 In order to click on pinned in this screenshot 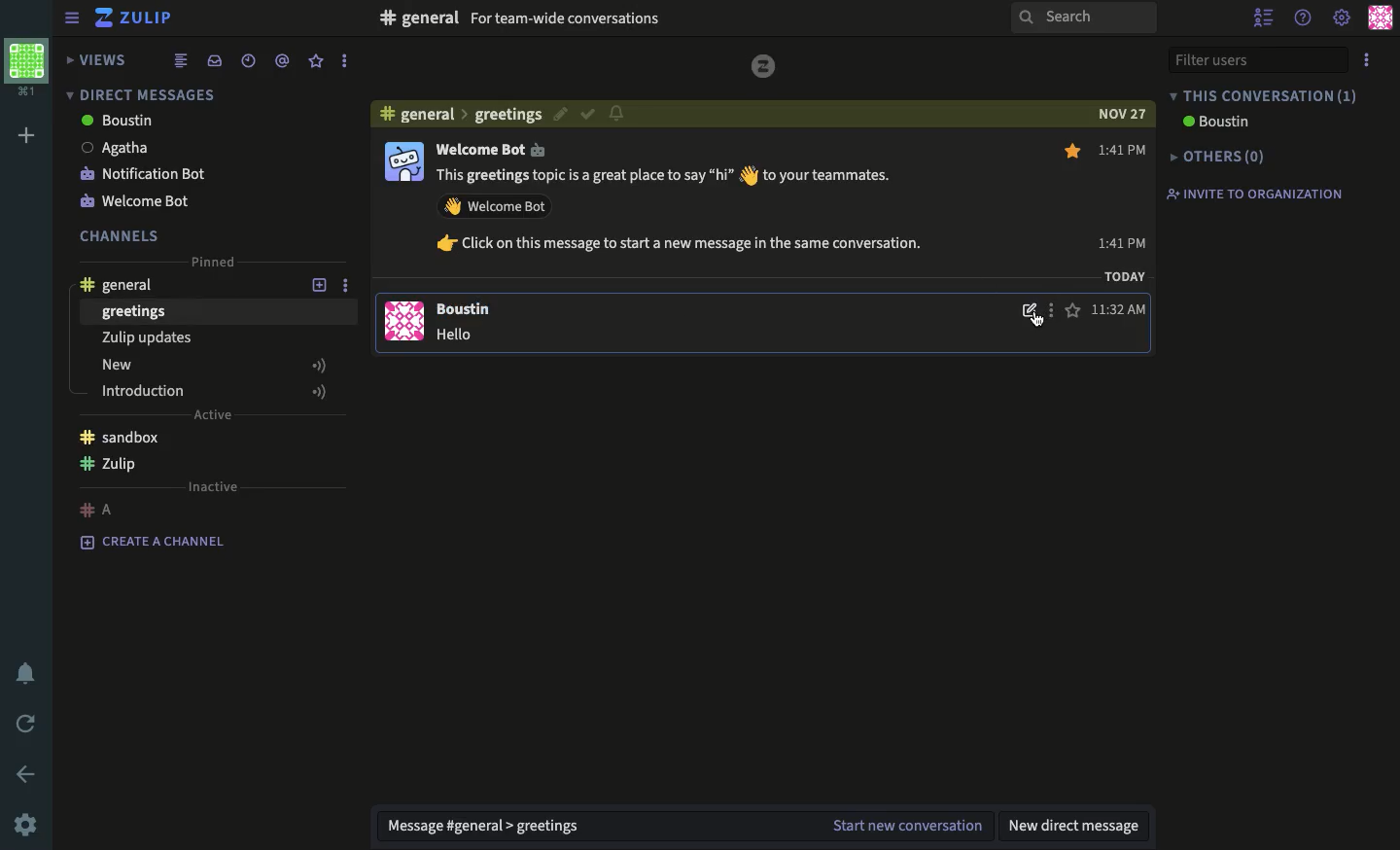, I will do `click(215, 263)`.